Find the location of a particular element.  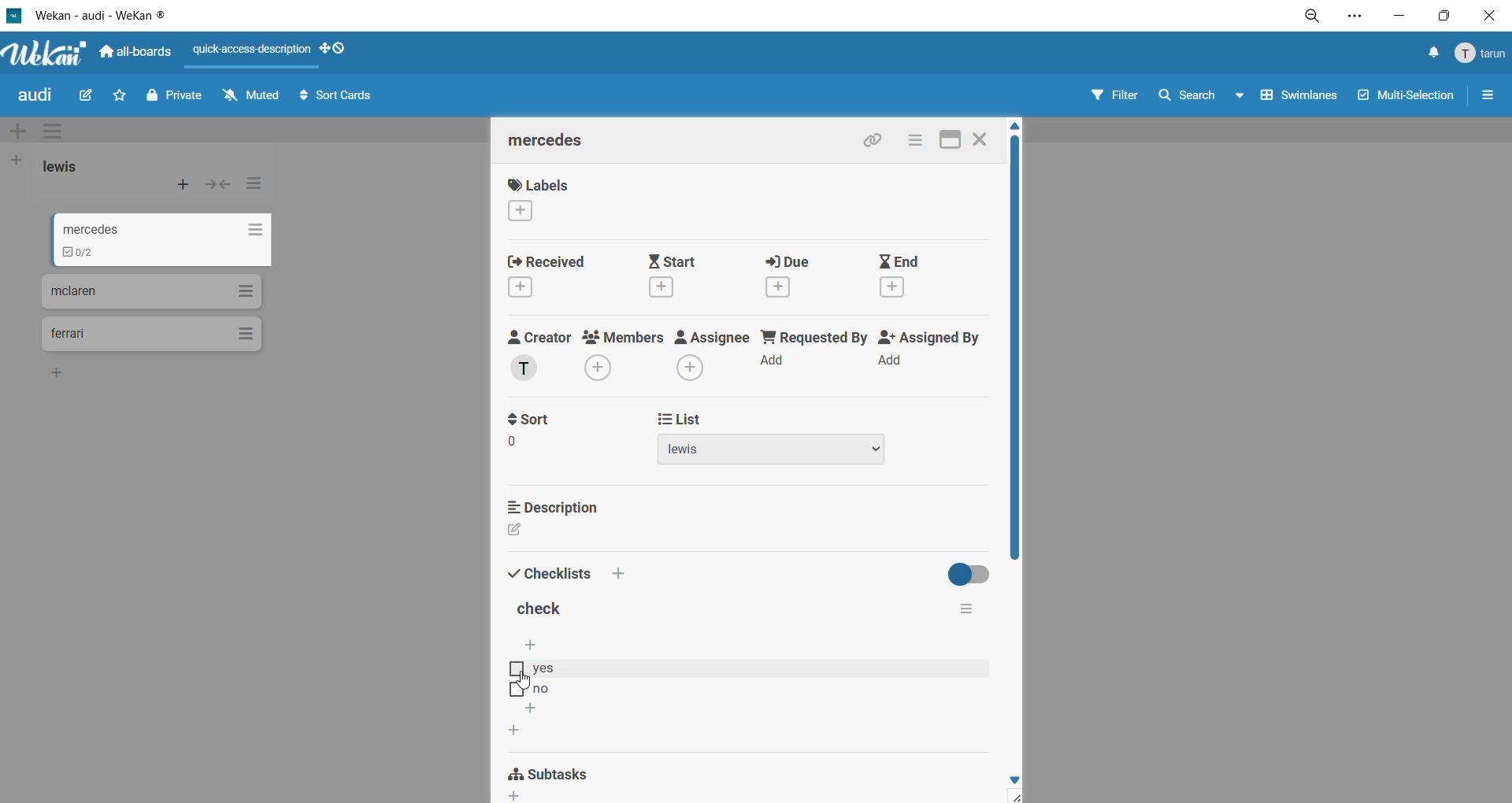

labels is located at coordinates (551, 197).